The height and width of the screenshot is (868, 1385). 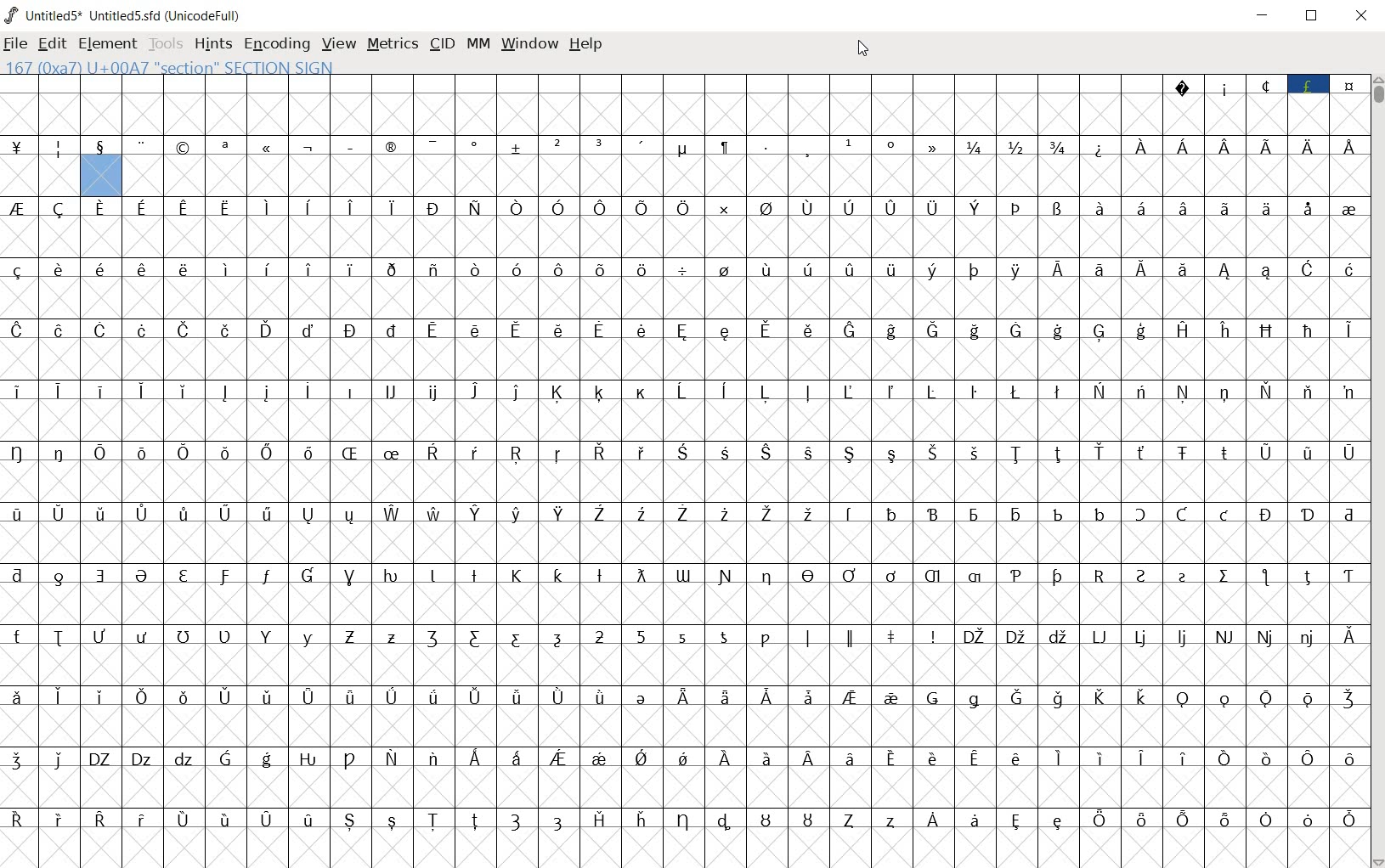 I want to click on empty cells, so click(x=683, y=114).